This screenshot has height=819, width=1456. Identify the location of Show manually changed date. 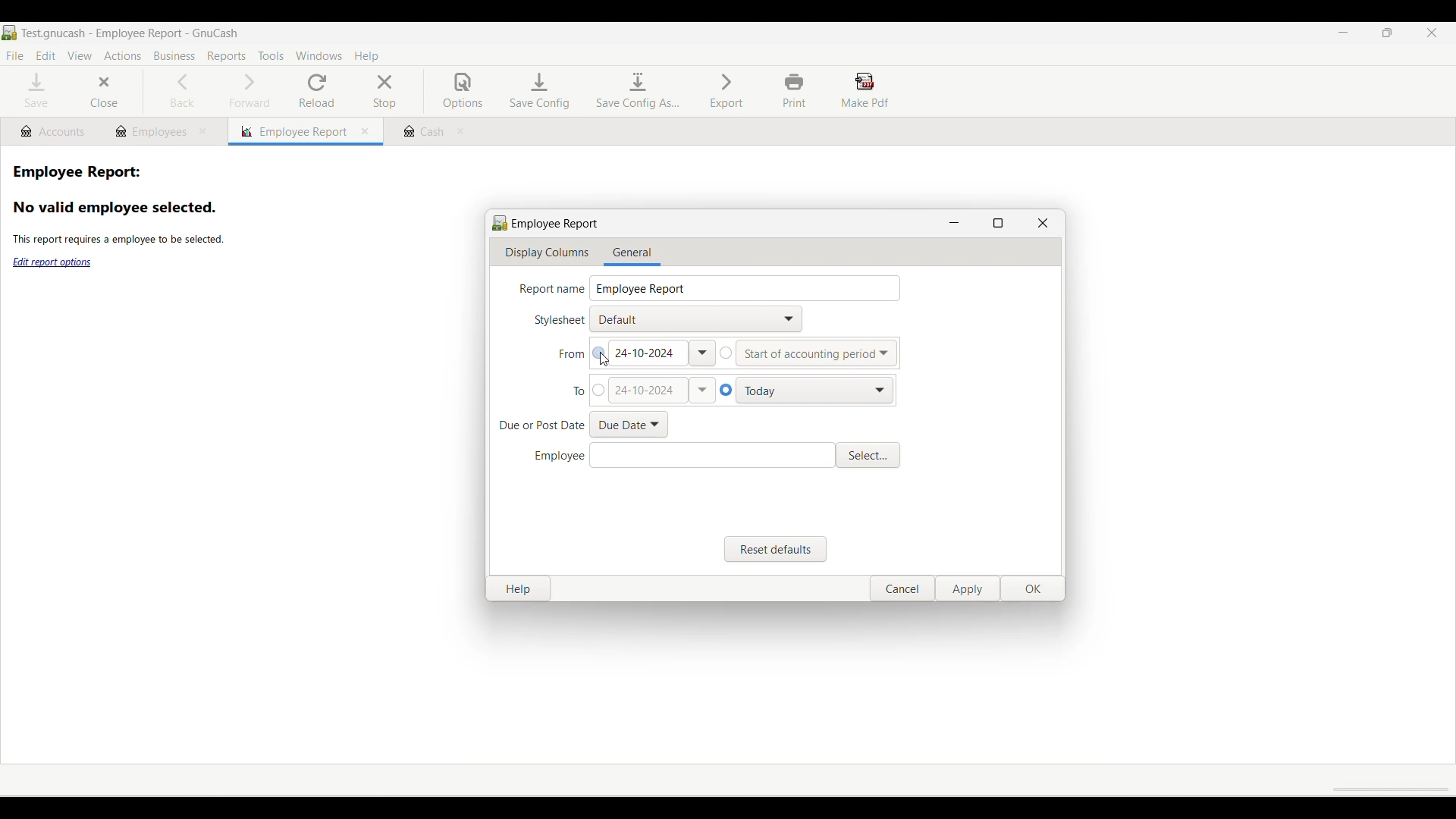
(650, 390).